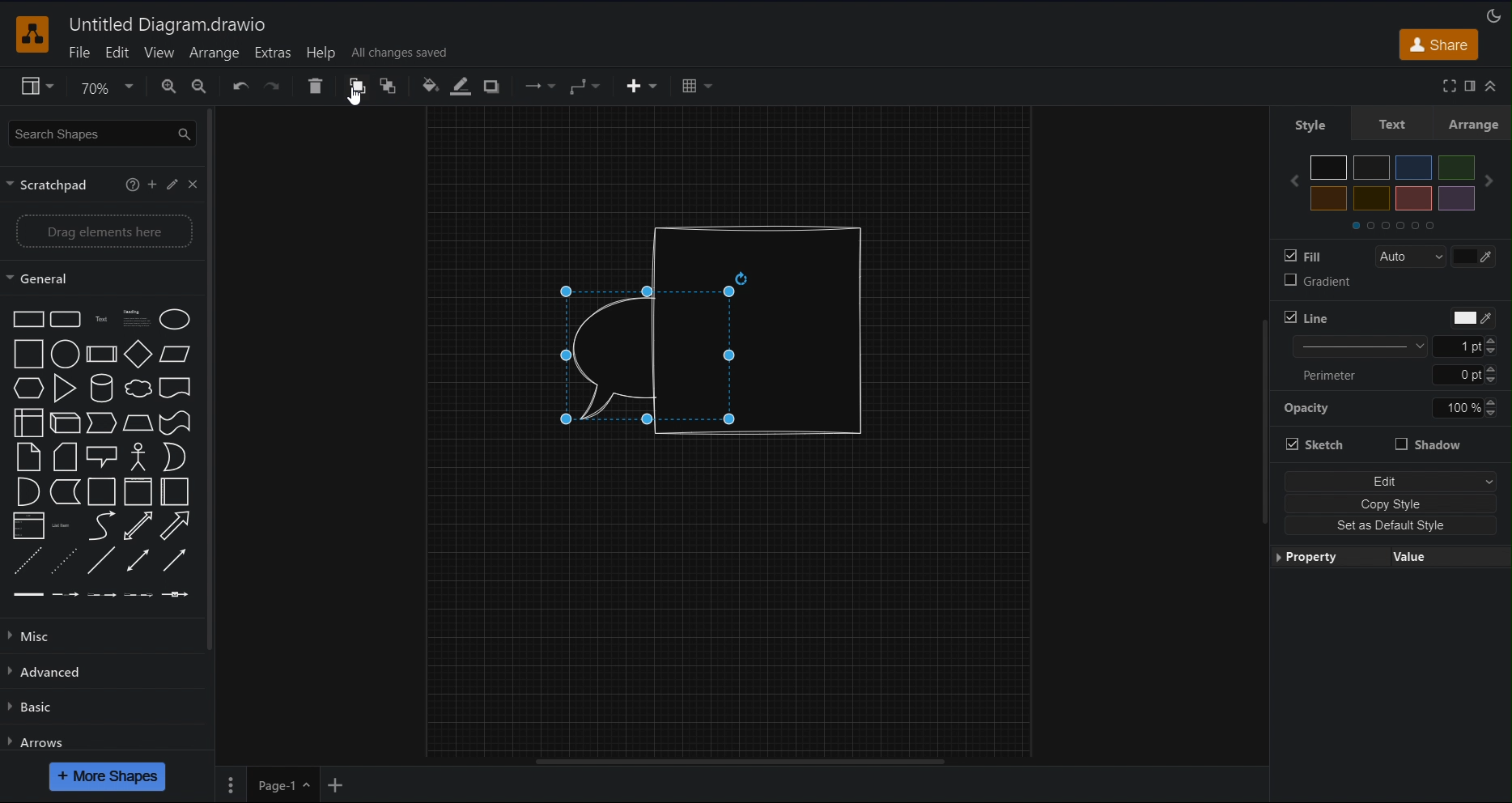  Describe the element at coordinates (316, 86) in the screenshot. I see `Delete` at that location.